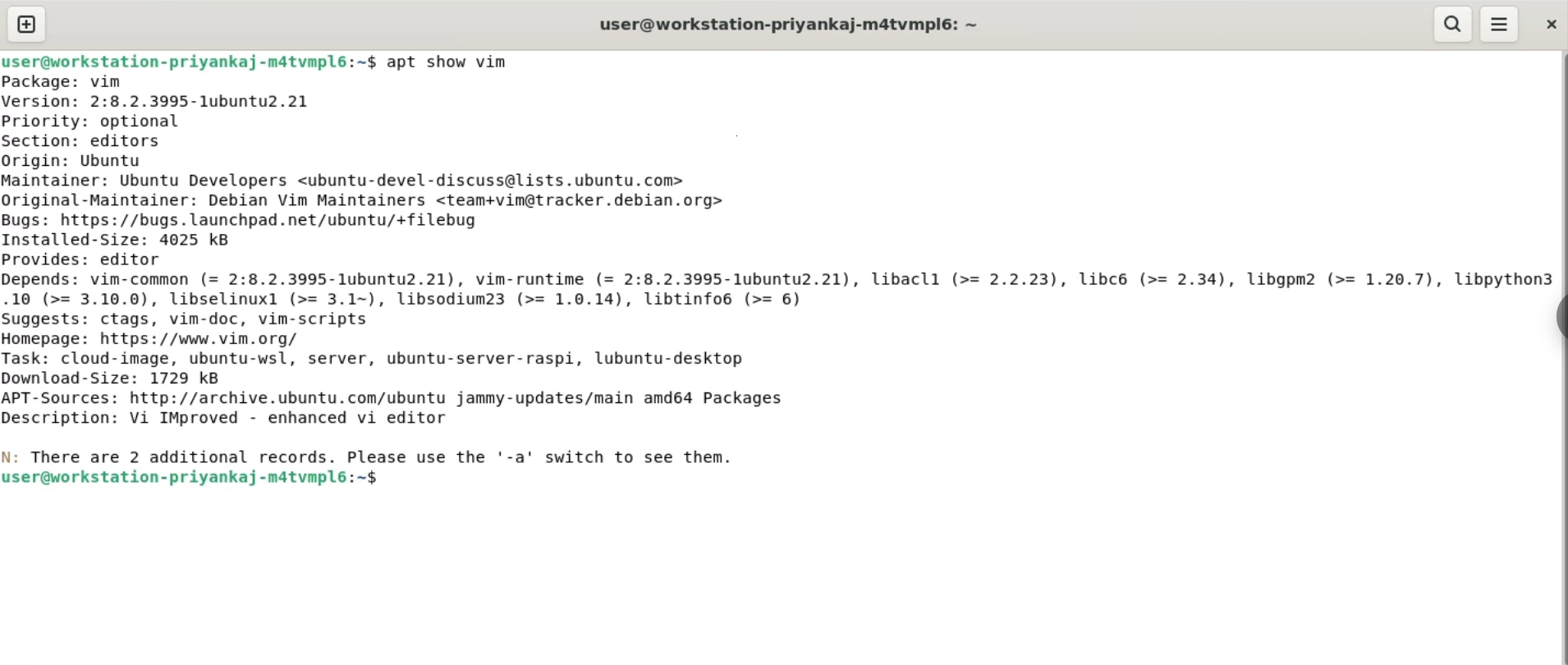 The image size is (1568, 665). What do you see at coordinates (1551, 25) in the screenshot?
I see `close` at bounding box center [1551, 25].